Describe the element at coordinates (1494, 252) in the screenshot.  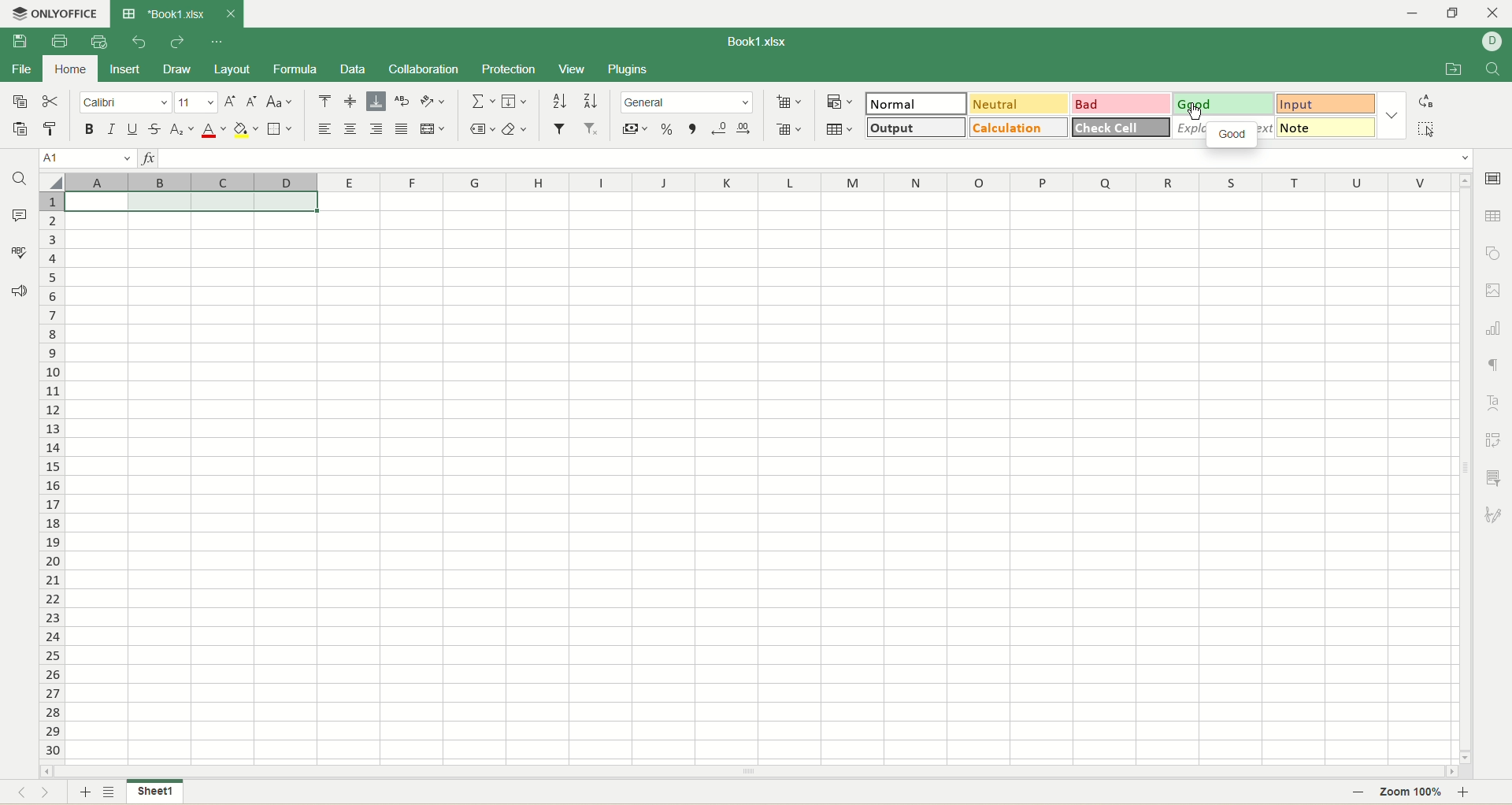
I see `object settings` at that location.